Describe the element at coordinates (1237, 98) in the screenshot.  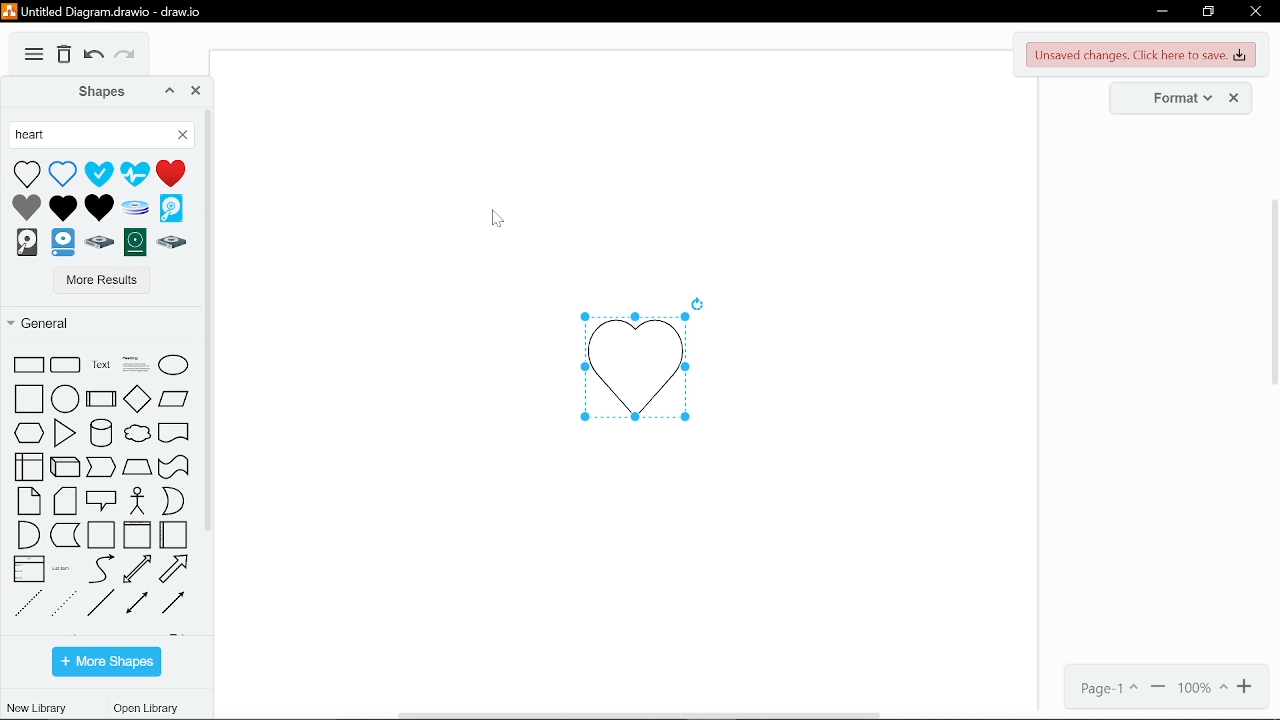
I see `close` at that location.